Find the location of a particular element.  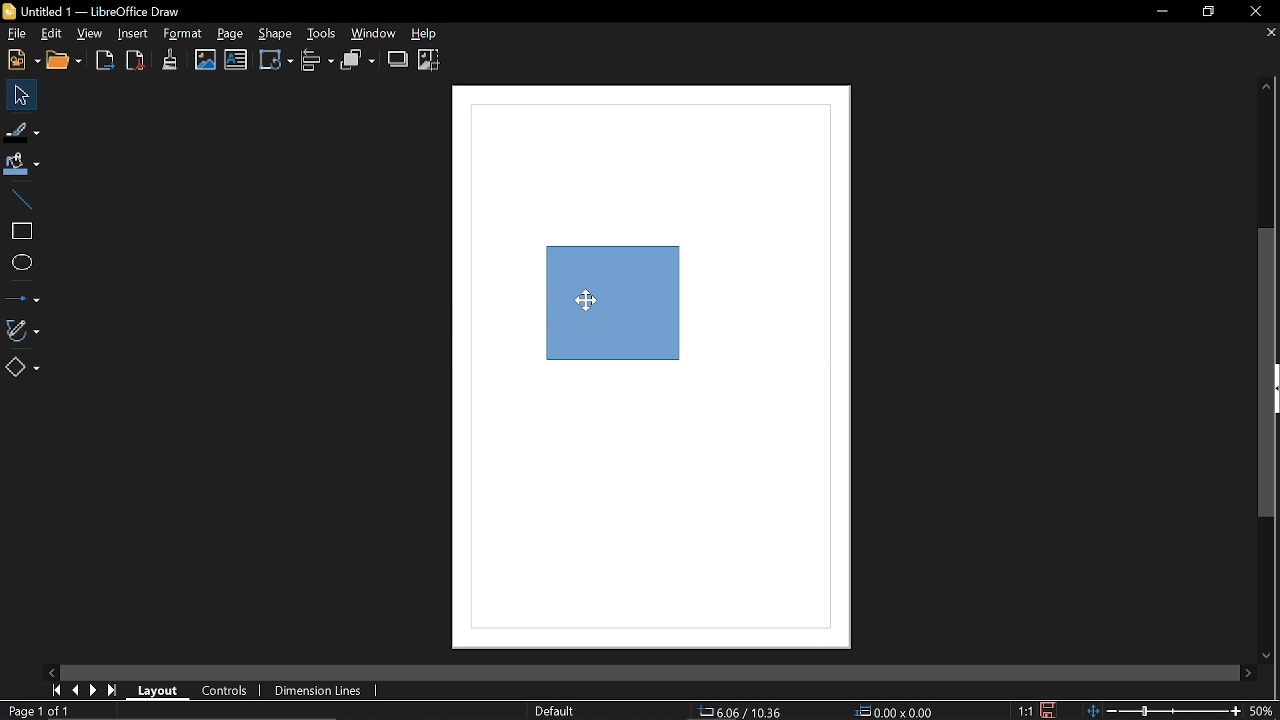

Basic shapes is located at coordinates (24, 367).